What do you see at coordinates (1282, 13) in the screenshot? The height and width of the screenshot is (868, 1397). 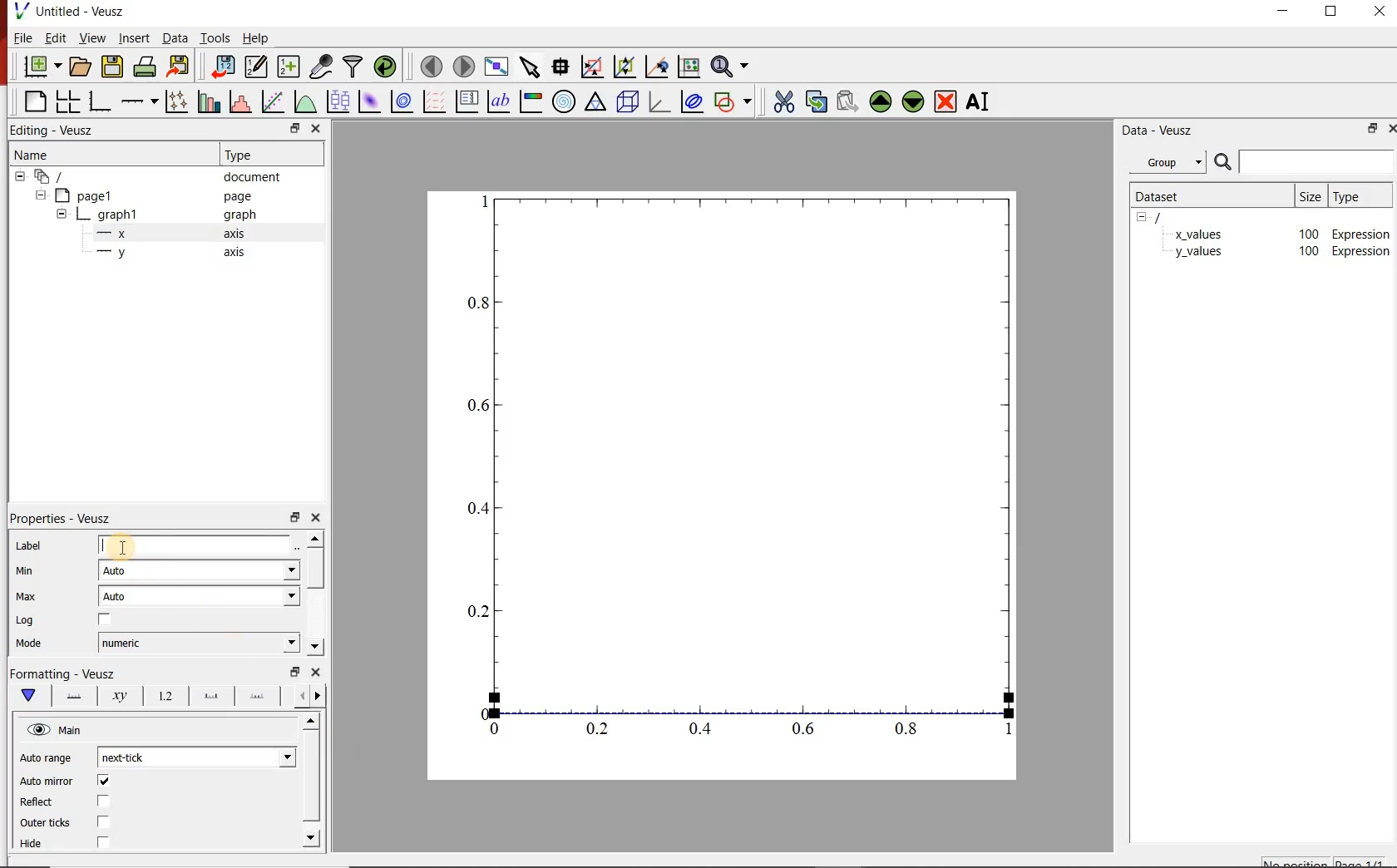 I see `minimize` at bounding box center [1282, 13].